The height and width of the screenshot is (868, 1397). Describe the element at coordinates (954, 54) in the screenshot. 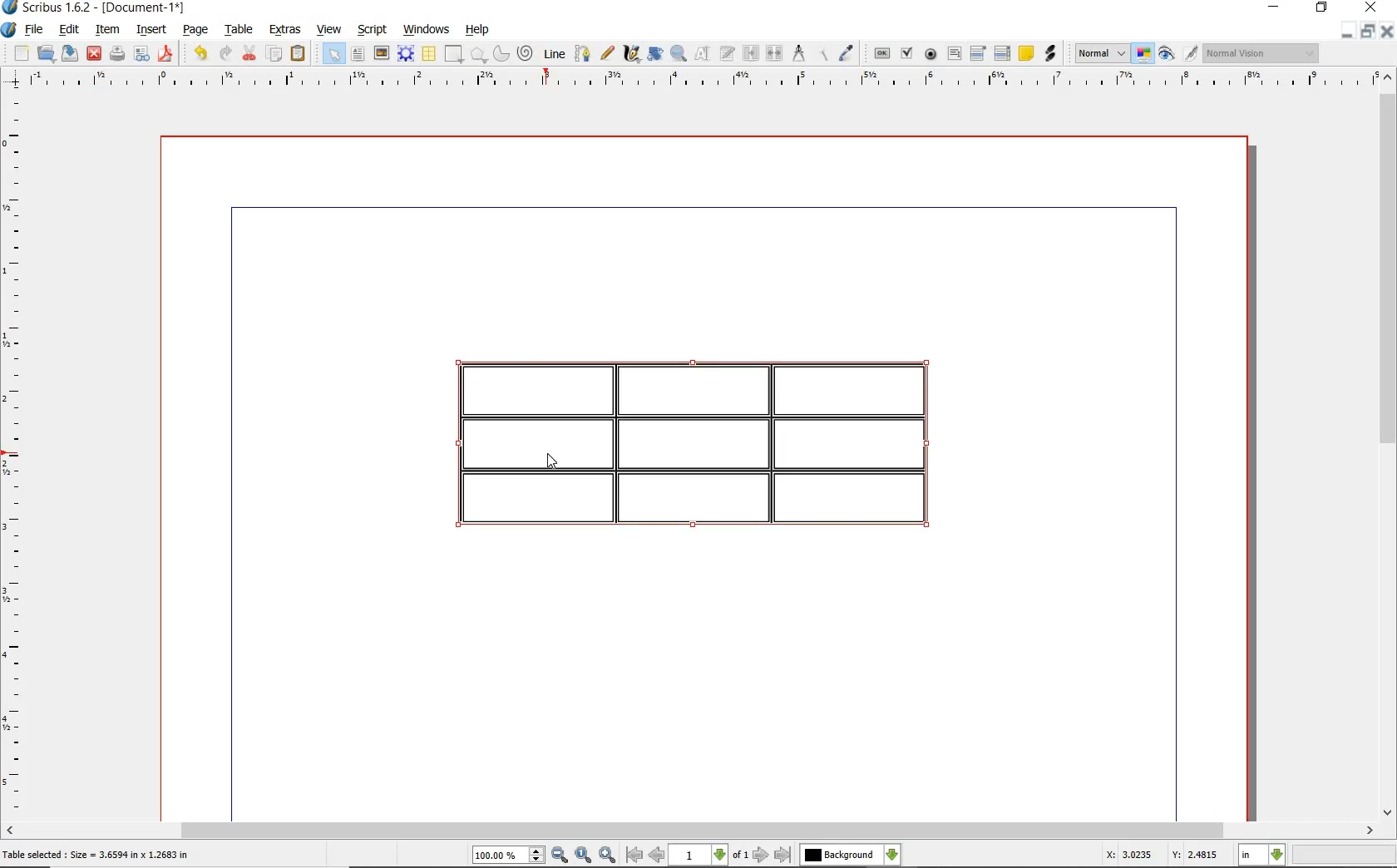

I see `pdf text field` at that location.